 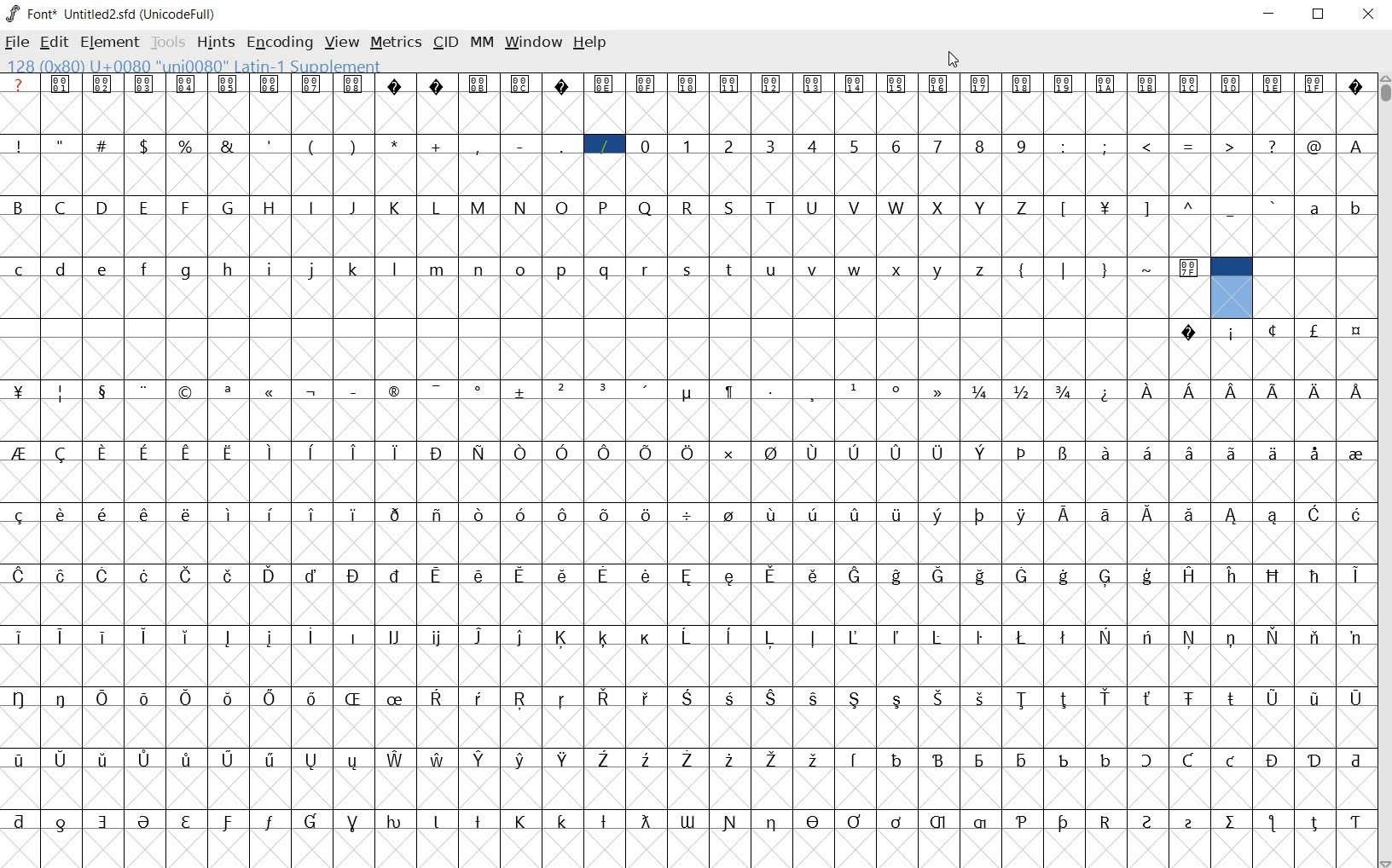 What do you see at coordinates (63, 85) in the screenshot?
I see `Symbol` at bounding box center [63, 85].